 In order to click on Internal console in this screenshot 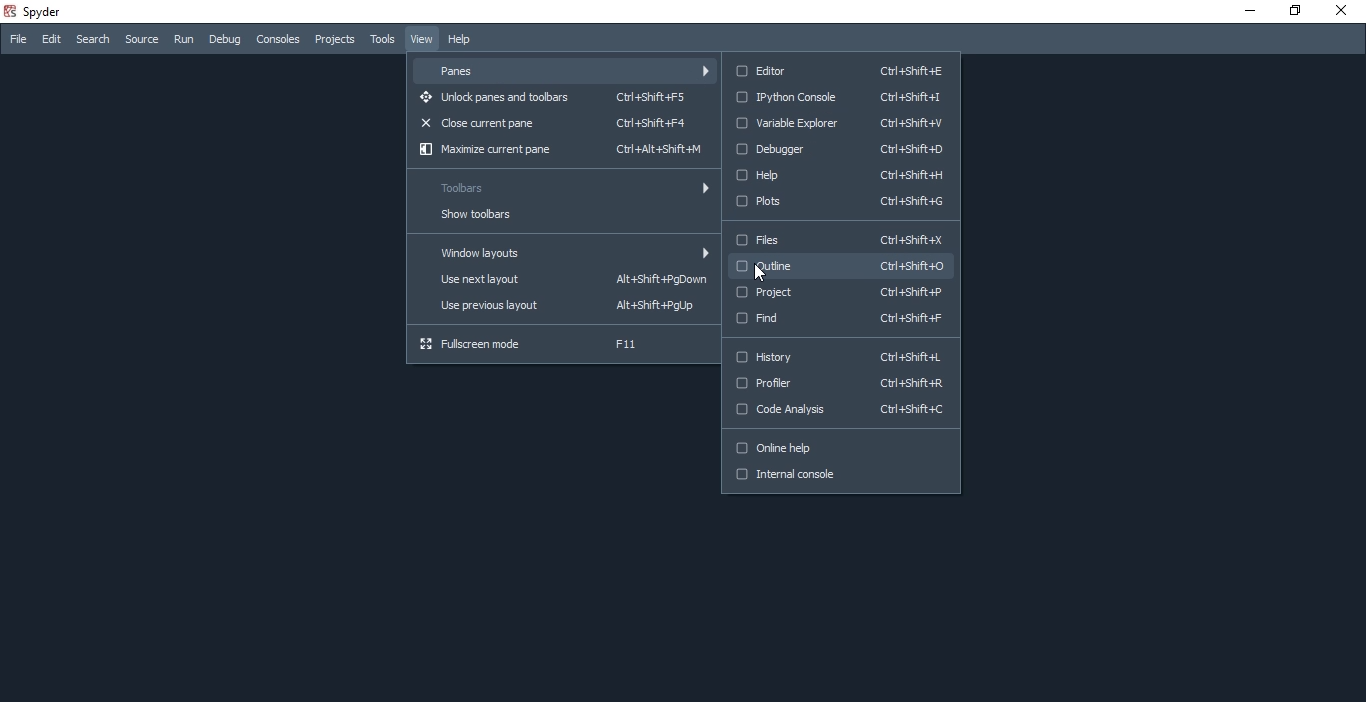, I will do `click(842, 480)`.